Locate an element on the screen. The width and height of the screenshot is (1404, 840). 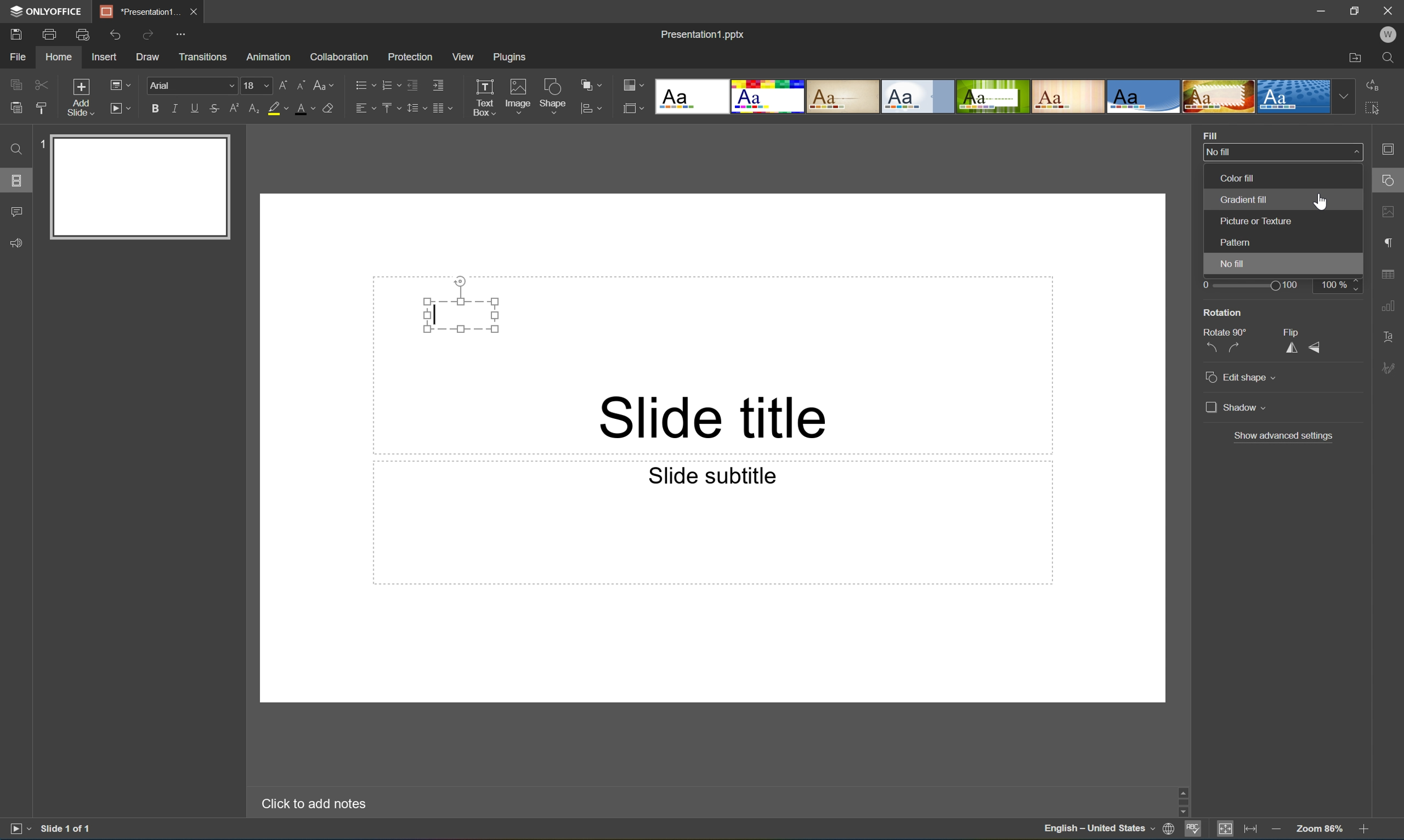
Rotation is located at coordinates (1223, 312).